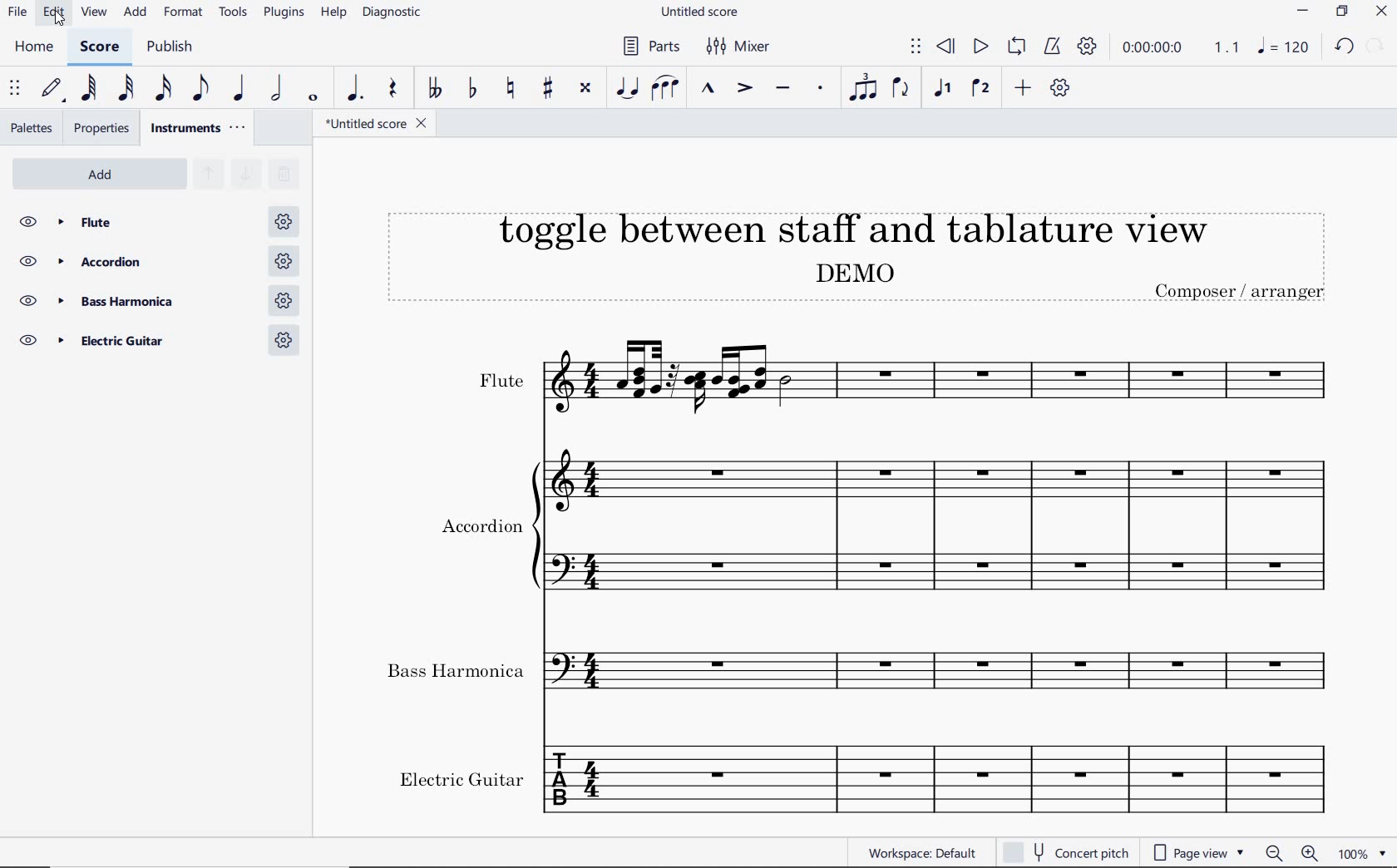 The width and height of the screenshot is (1397, 868). Describe the element at coordinates (163, 89) in the screenshot. I see `16th note` at that location.